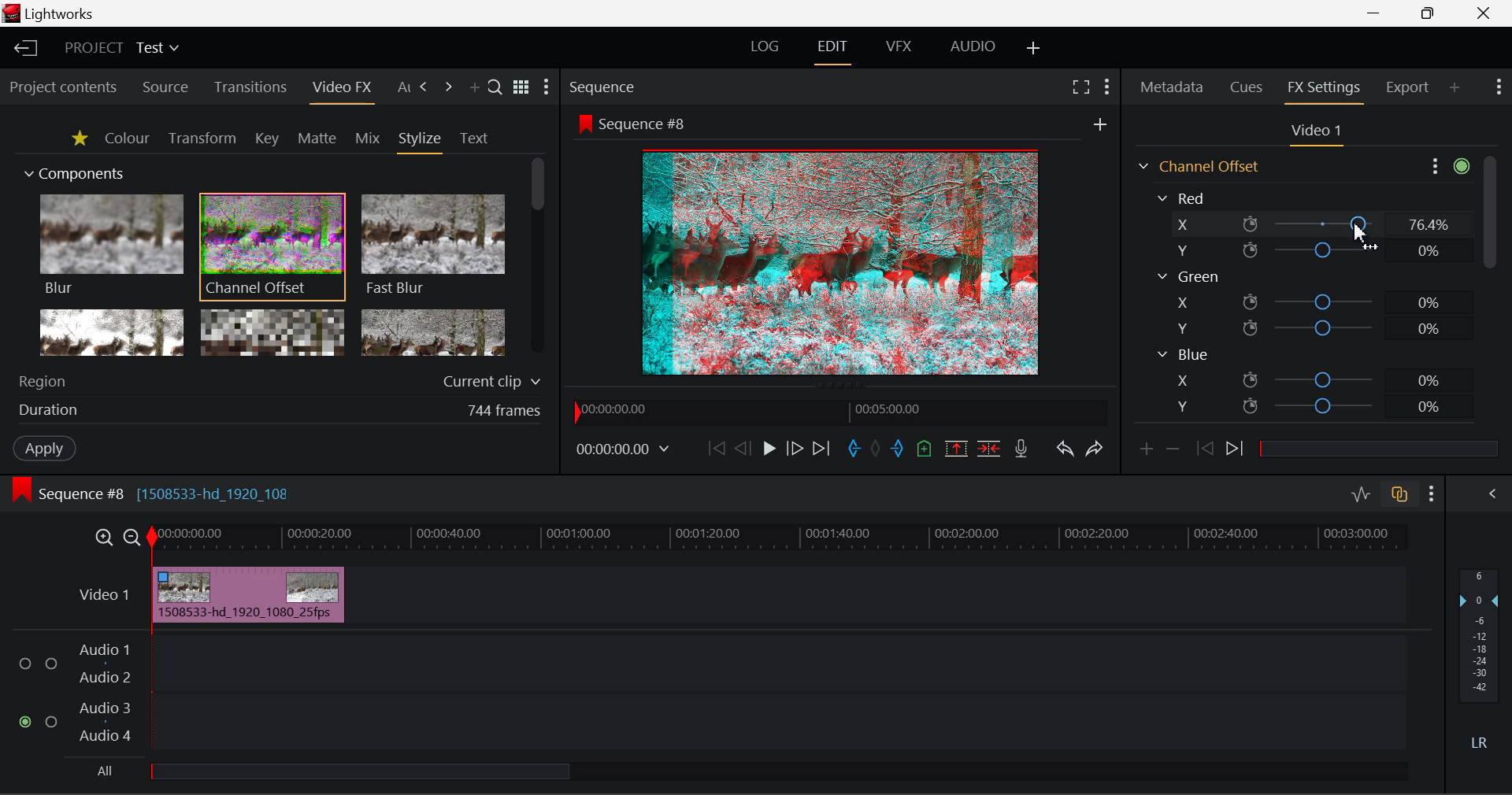 The height and width of the screenshot is (795, 1512). I want to click on Toggle between title and list view, so click(521, 84).